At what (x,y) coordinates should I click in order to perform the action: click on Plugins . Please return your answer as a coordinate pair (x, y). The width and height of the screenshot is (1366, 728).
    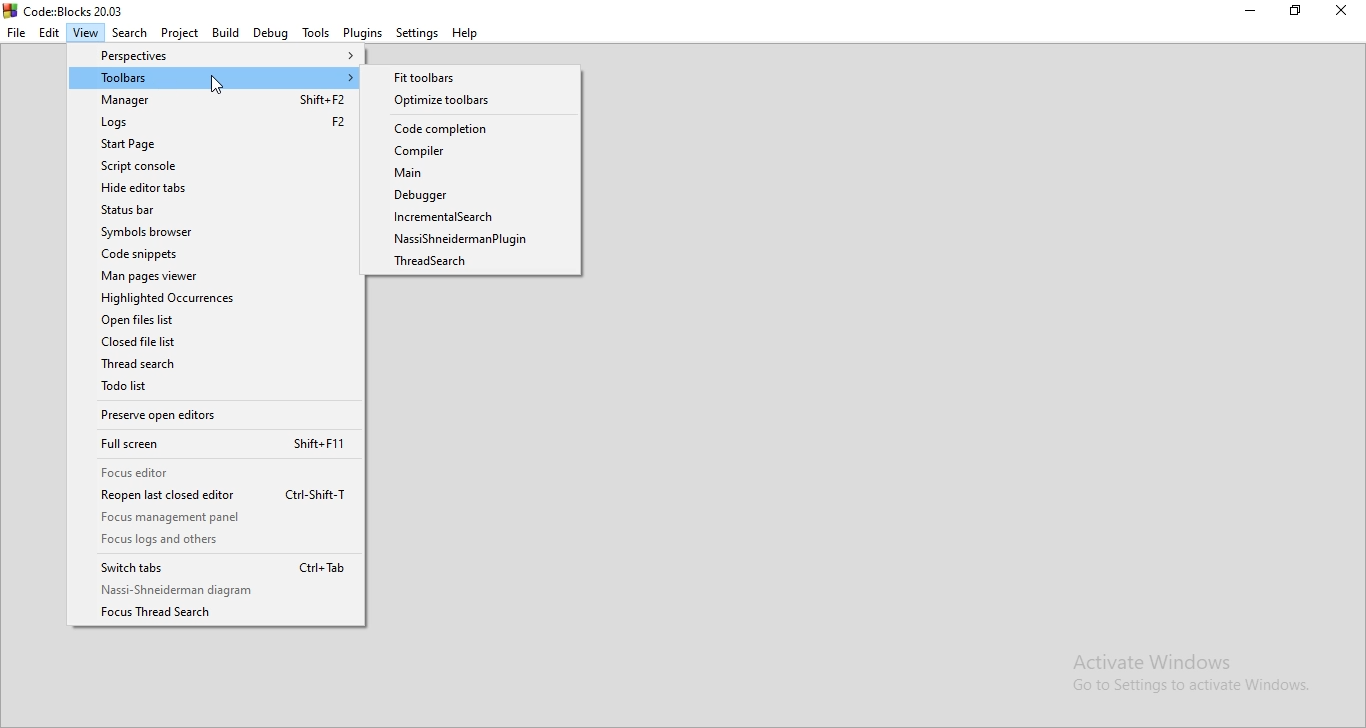
    Looking at the image, I should click on (363, 32).